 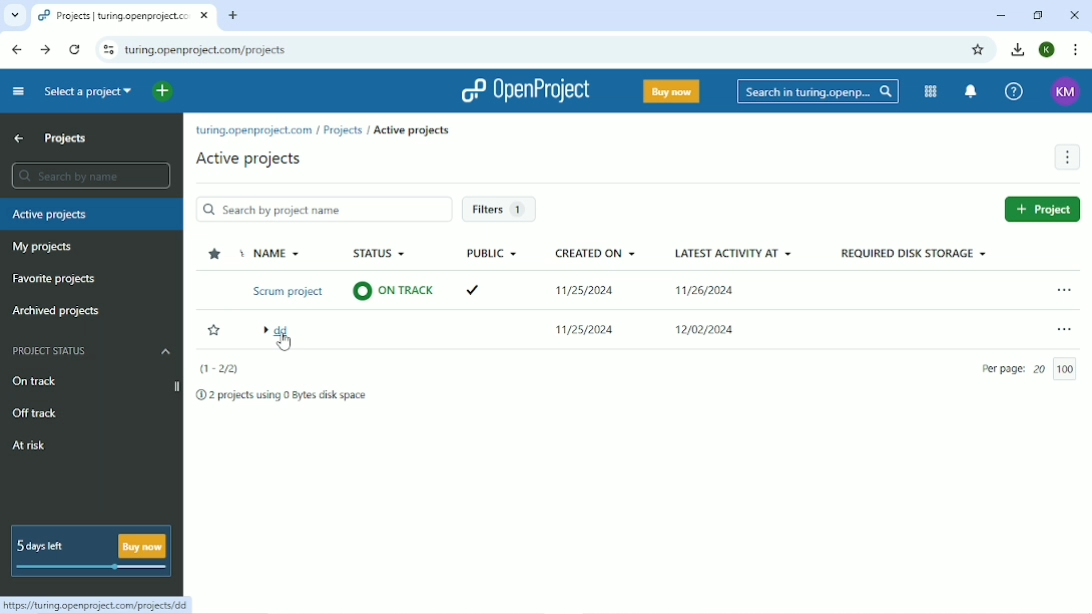 I want to click on Favorite projects, so click(x=56, y=280).